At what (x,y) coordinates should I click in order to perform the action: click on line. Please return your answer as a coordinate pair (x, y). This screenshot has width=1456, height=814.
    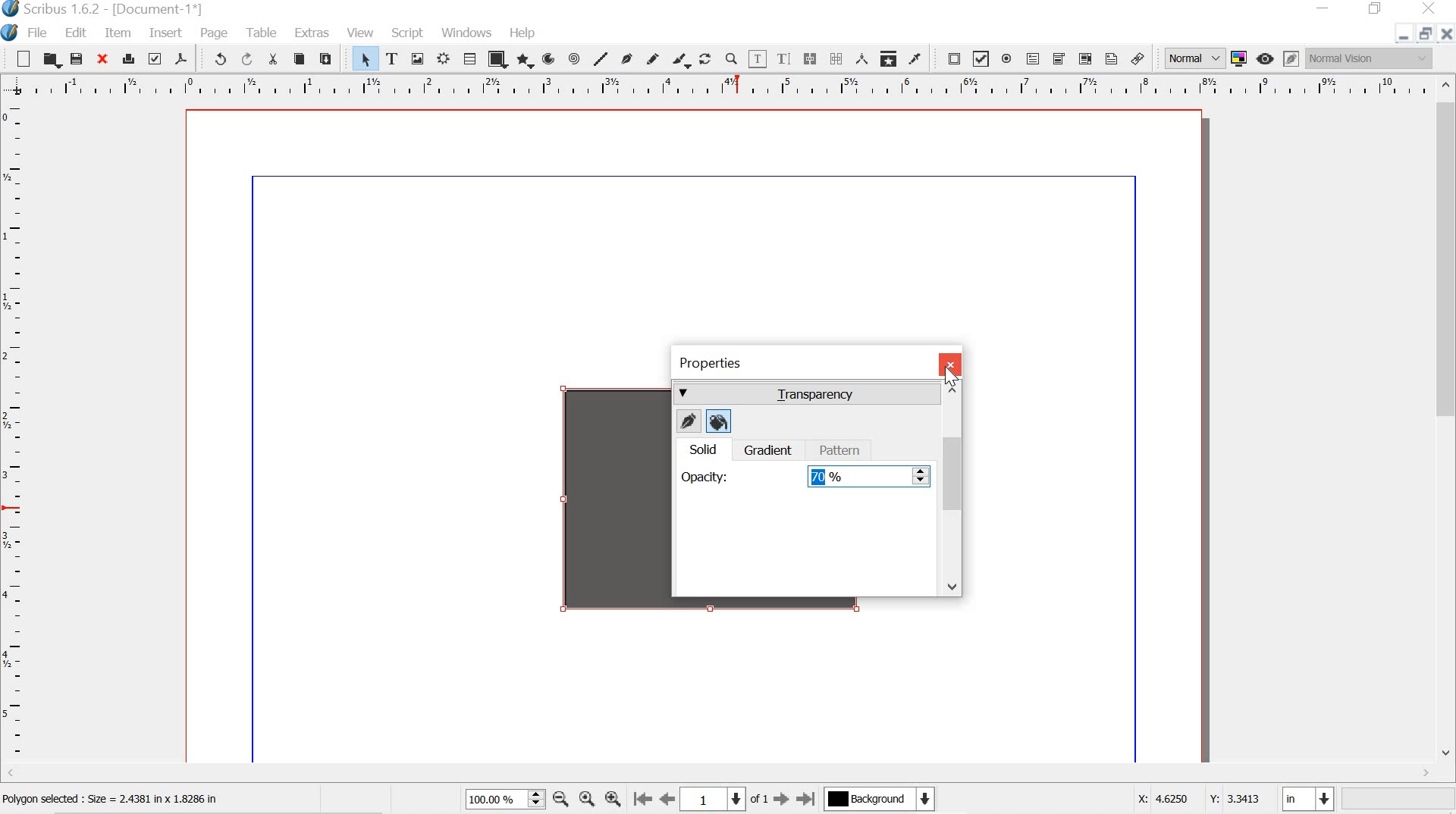
    Looking at the image, I should click on (601, 58).